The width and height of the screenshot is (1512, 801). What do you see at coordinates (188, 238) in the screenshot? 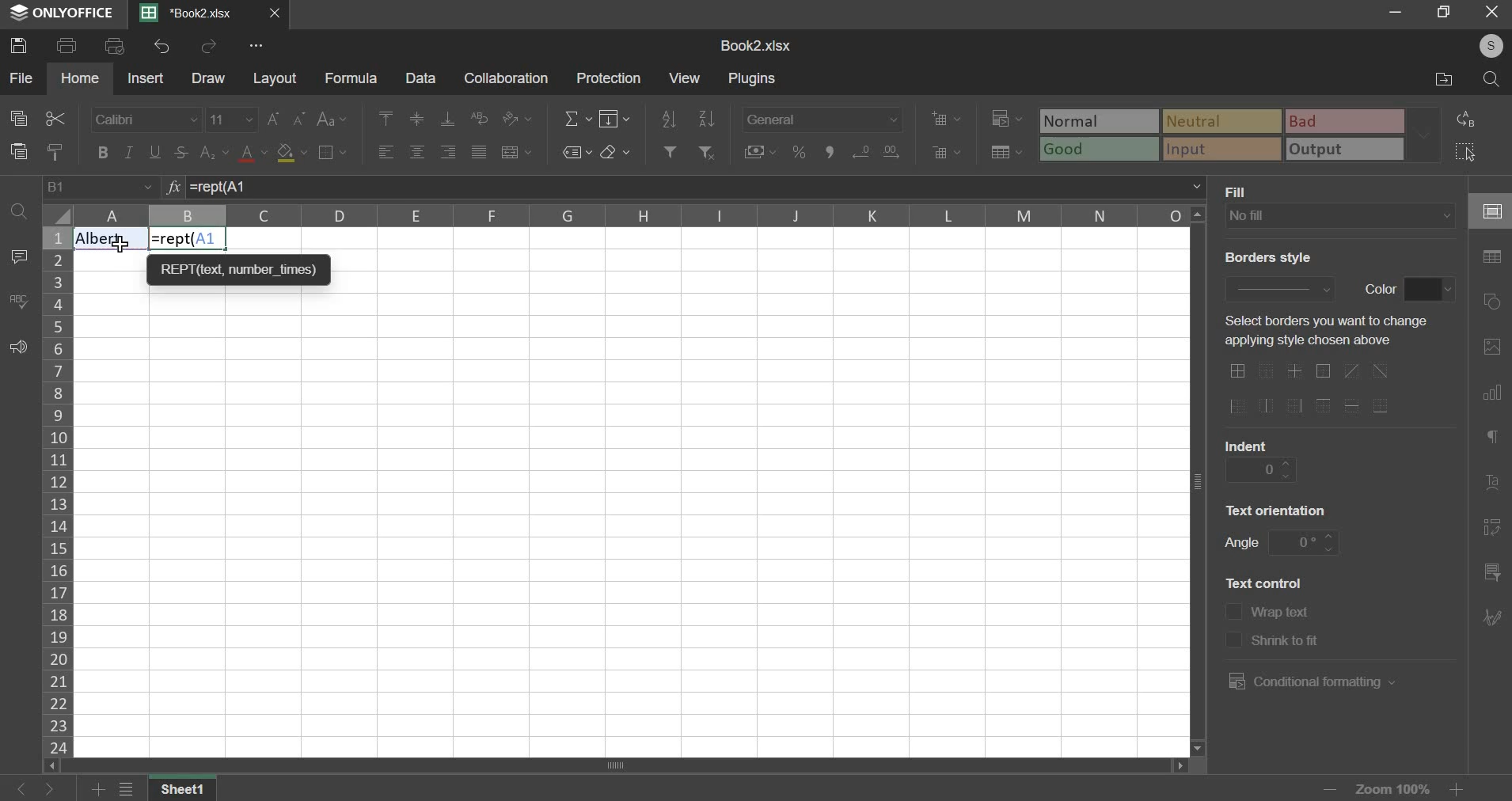
I see `=rept(A1` at bounding box center [188, 238].